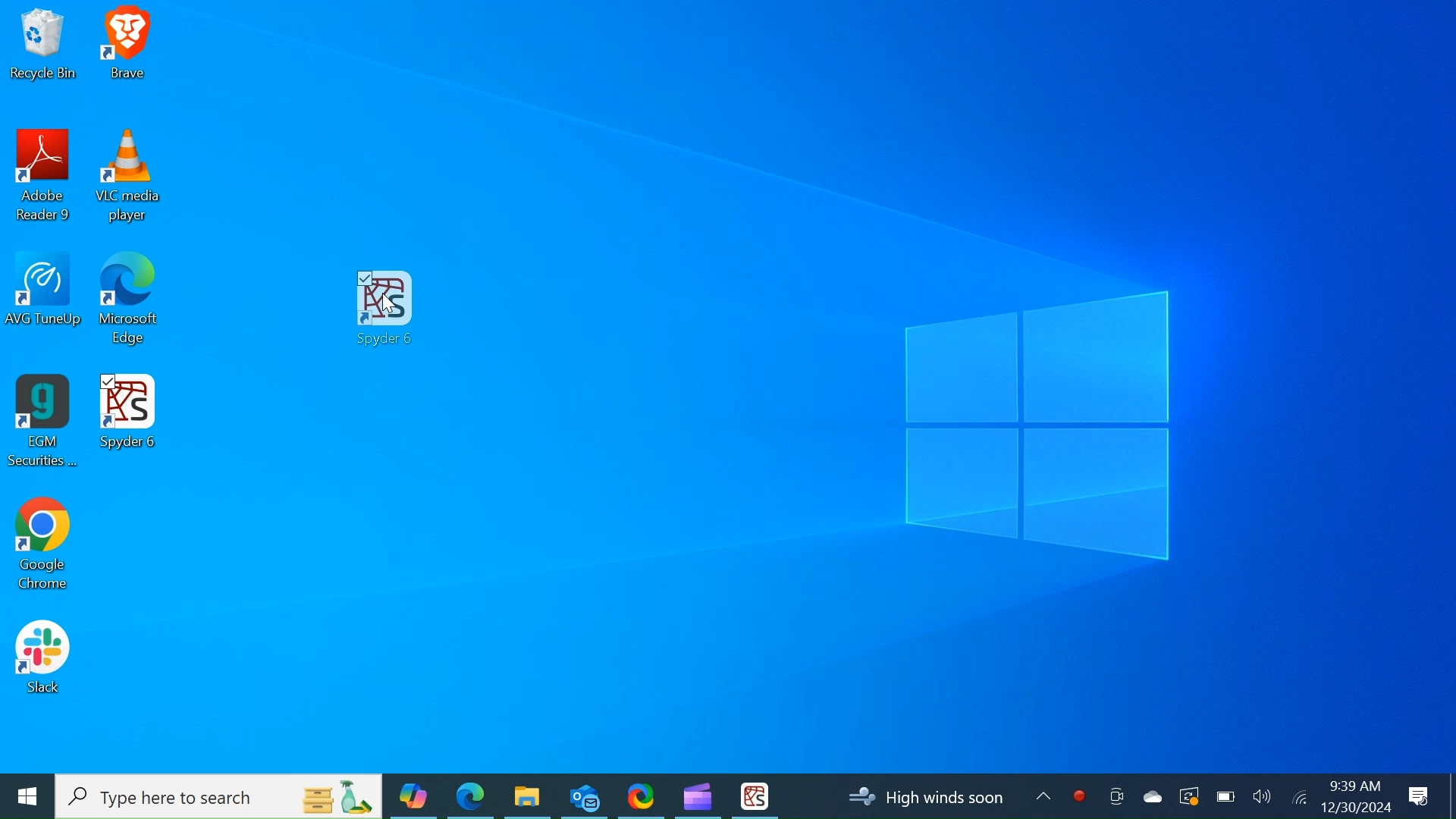 This screenshot has width=1456, height=819. I want to click on show hidden icons, so click(1043, 797).